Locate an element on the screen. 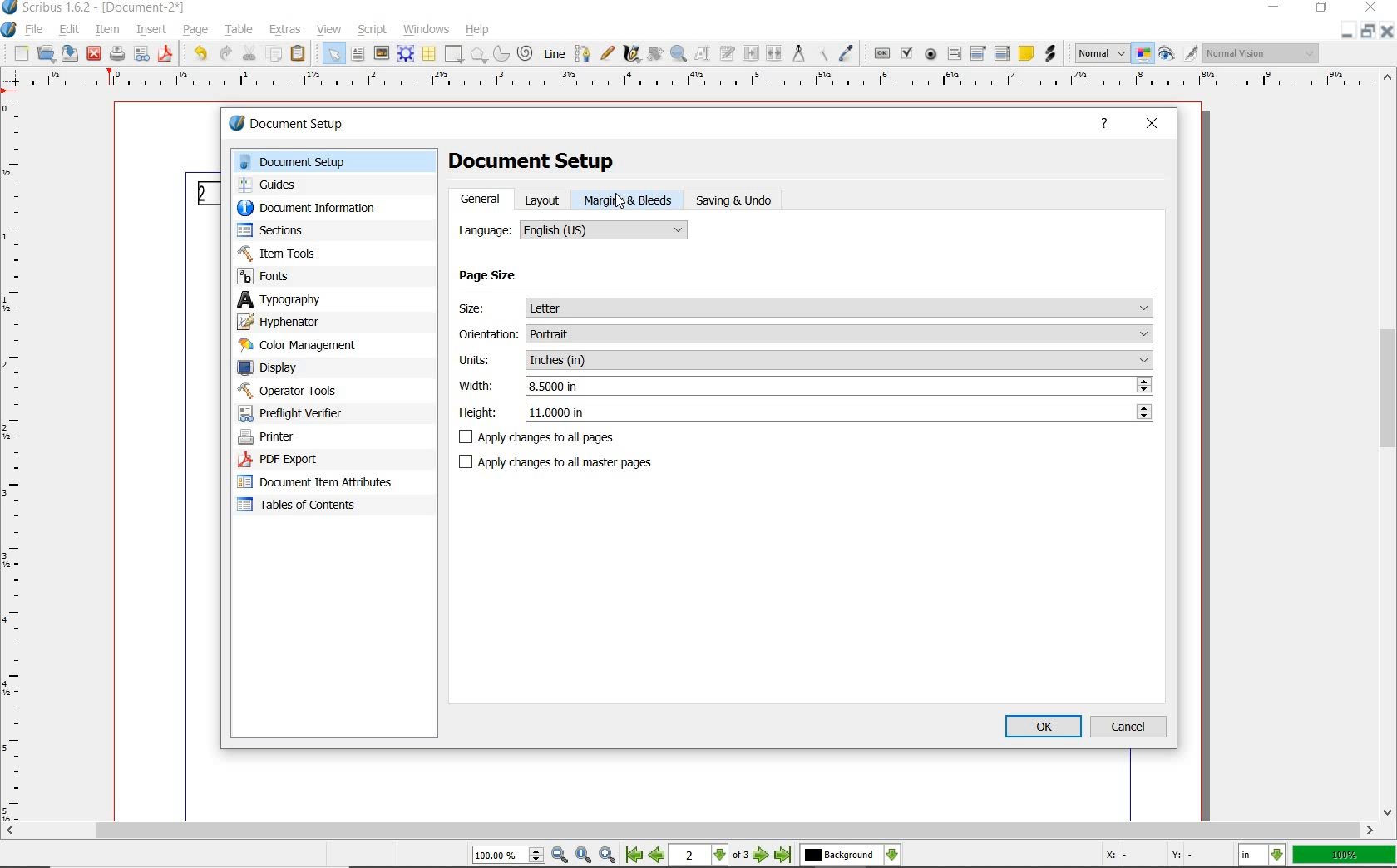  link annotation is located at coordinates (1051, 54).